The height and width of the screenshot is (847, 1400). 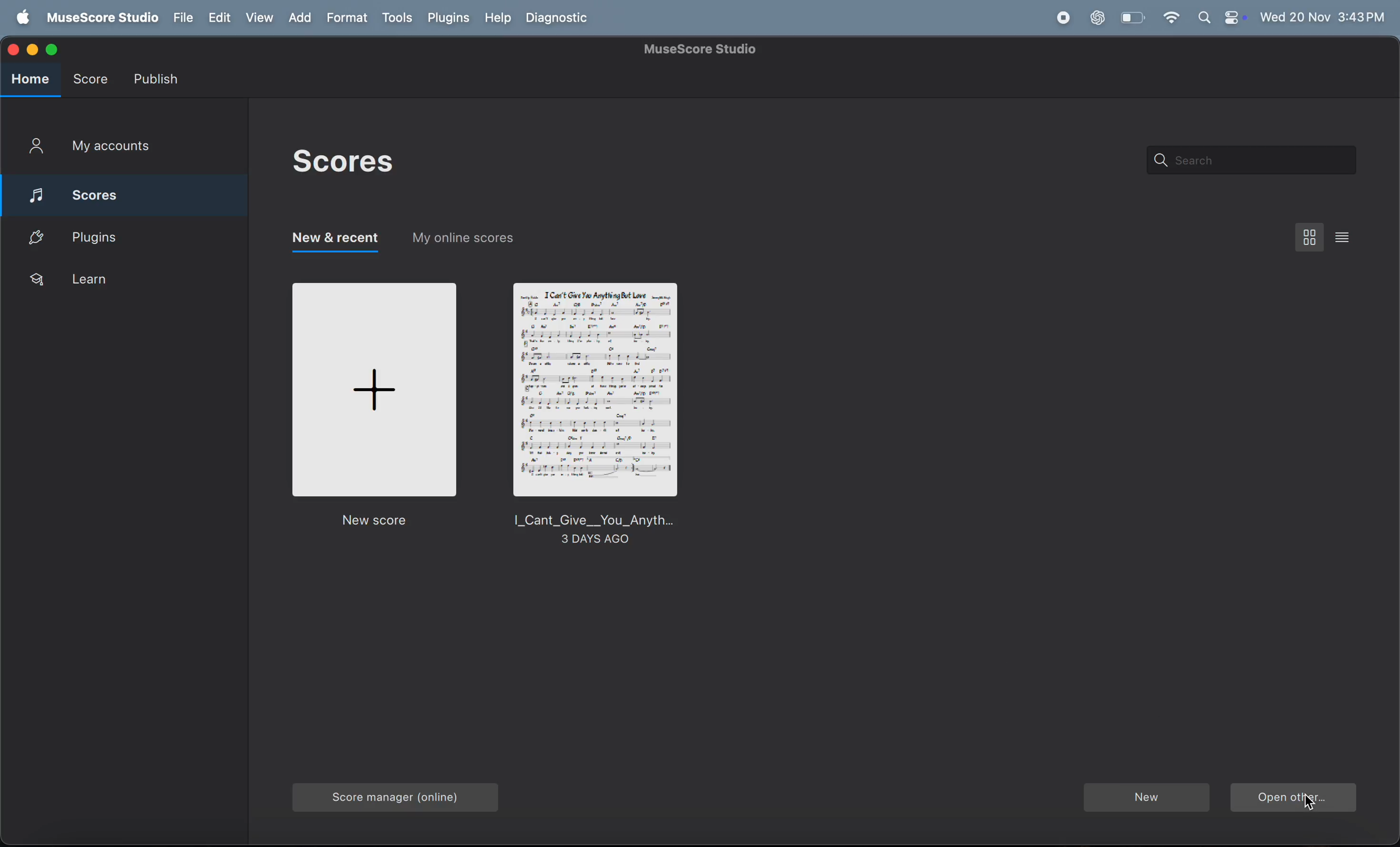 I want to click on minimize, so click(x=31, y=49).